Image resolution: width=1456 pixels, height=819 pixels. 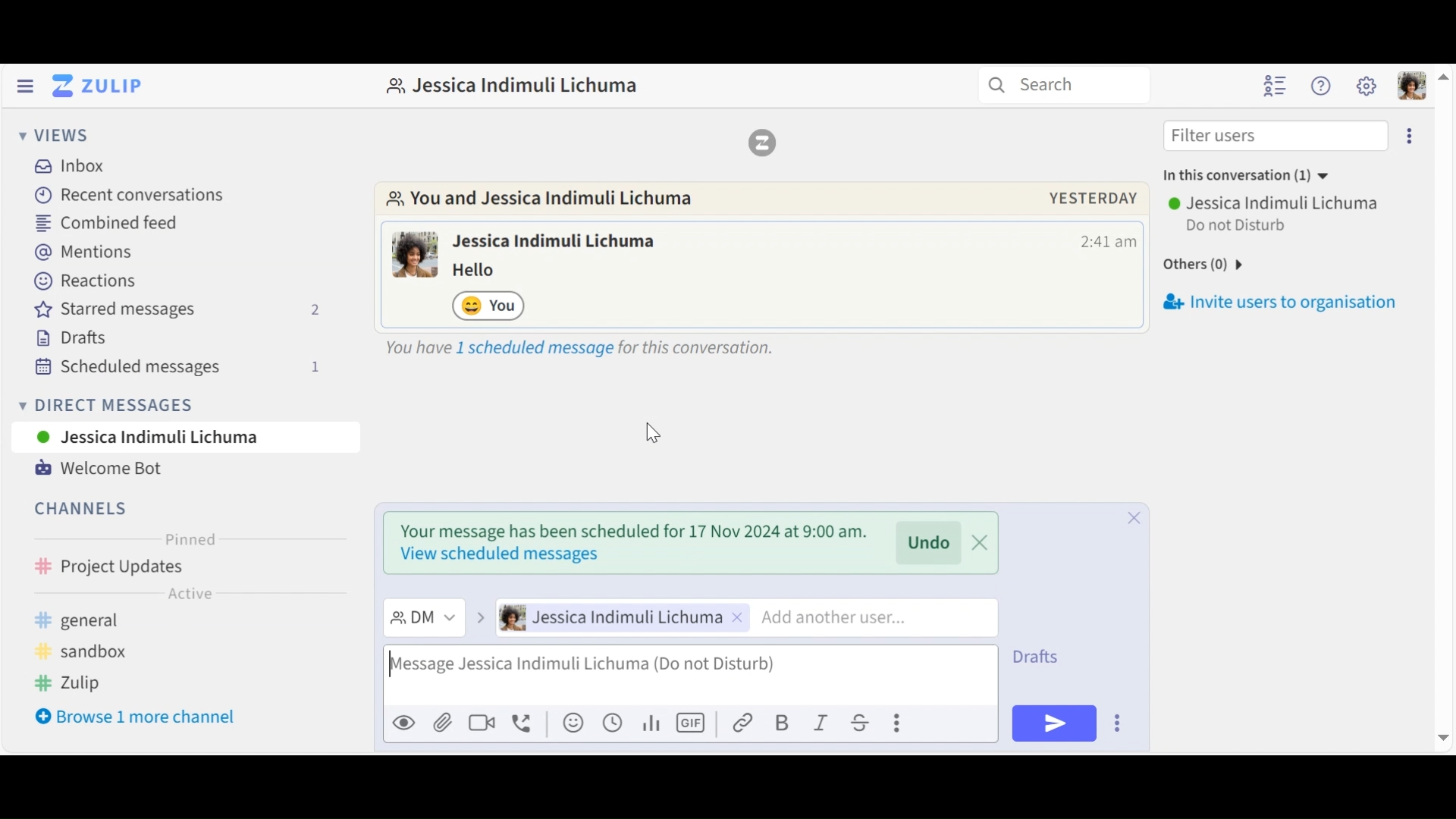 I want to click on Search, so click(x=1072, y=86).